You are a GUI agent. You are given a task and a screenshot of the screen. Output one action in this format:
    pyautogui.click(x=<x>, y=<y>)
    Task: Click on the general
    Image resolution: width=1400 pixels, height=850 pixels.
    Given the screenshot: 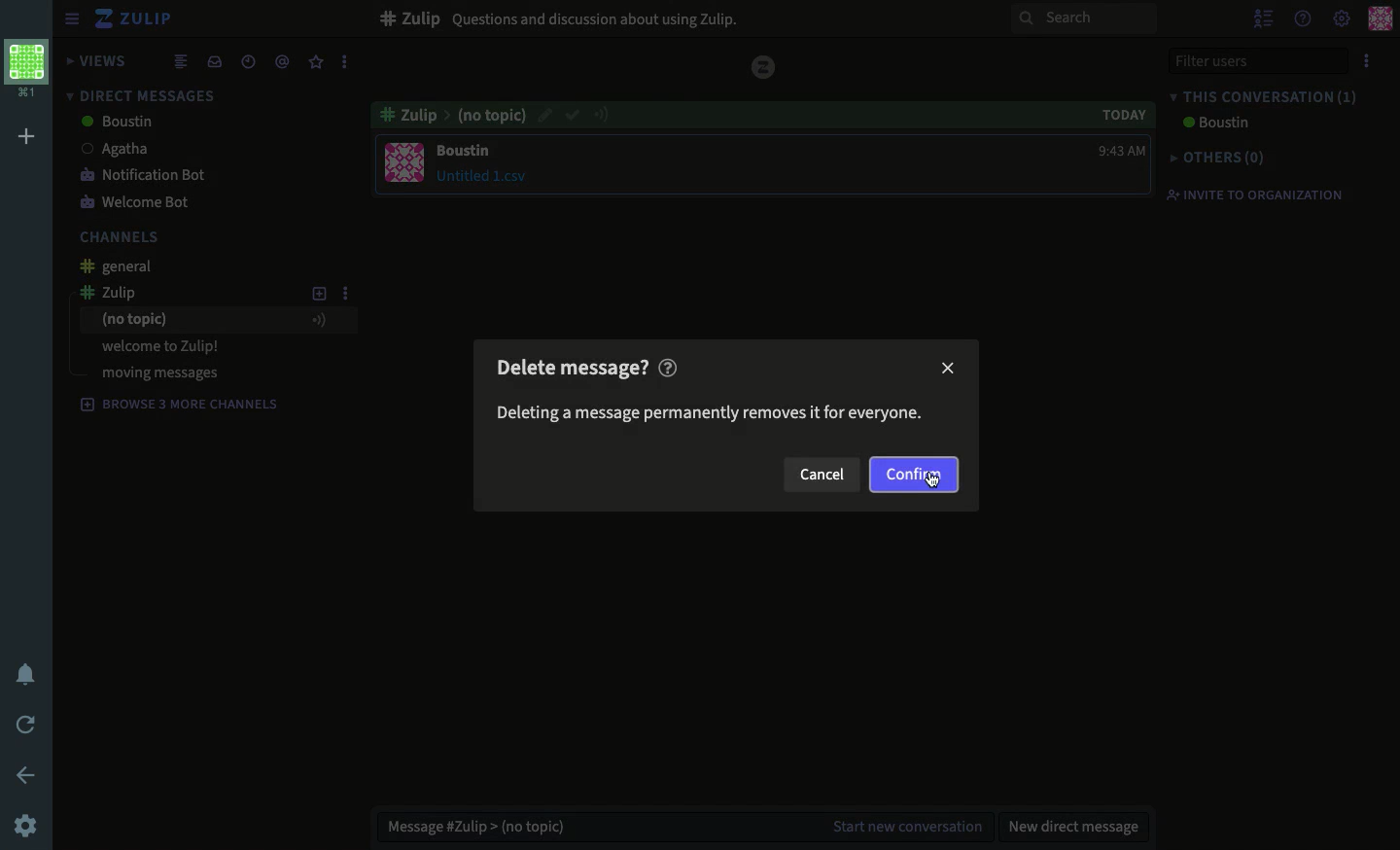 What is the action you would take?
    pyautogui.click(x=123, y=266)
    